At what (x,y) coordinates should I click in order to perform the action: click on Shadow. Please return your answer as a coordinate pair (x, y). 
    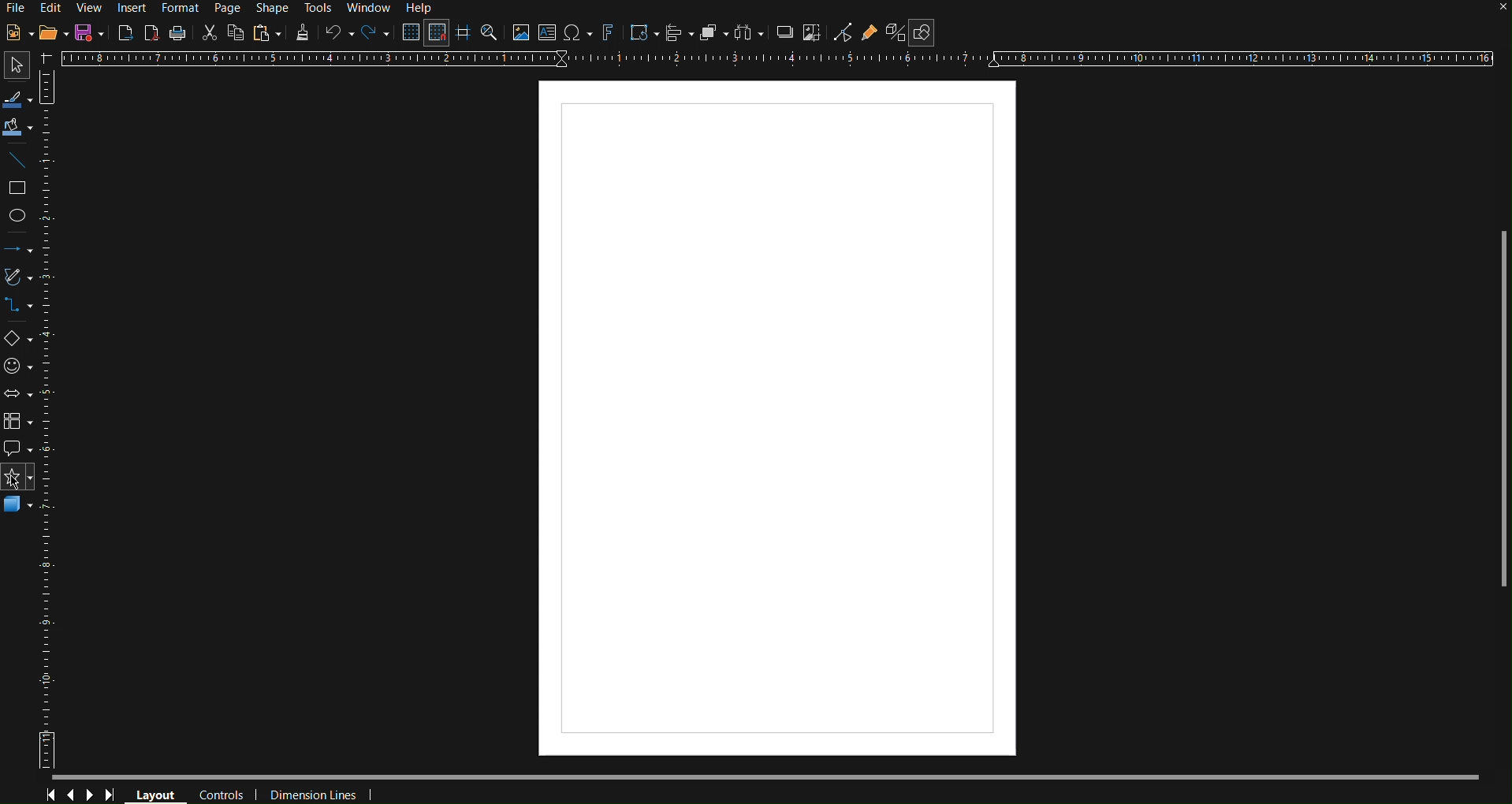
    Looking at the image, I should click on (782, 35).